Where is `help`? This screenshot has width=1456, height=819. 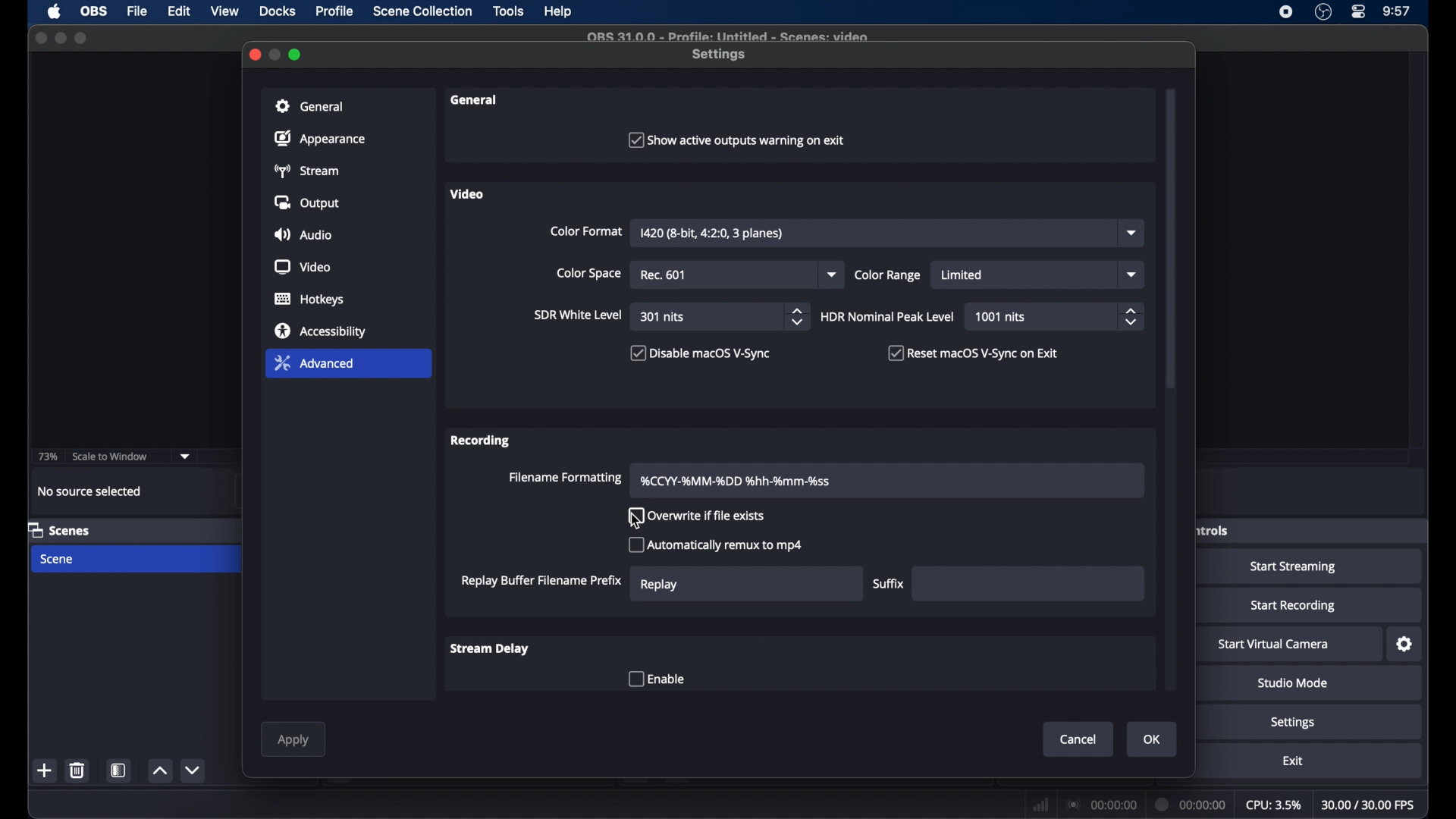 help is located at coordinates (559, 11).